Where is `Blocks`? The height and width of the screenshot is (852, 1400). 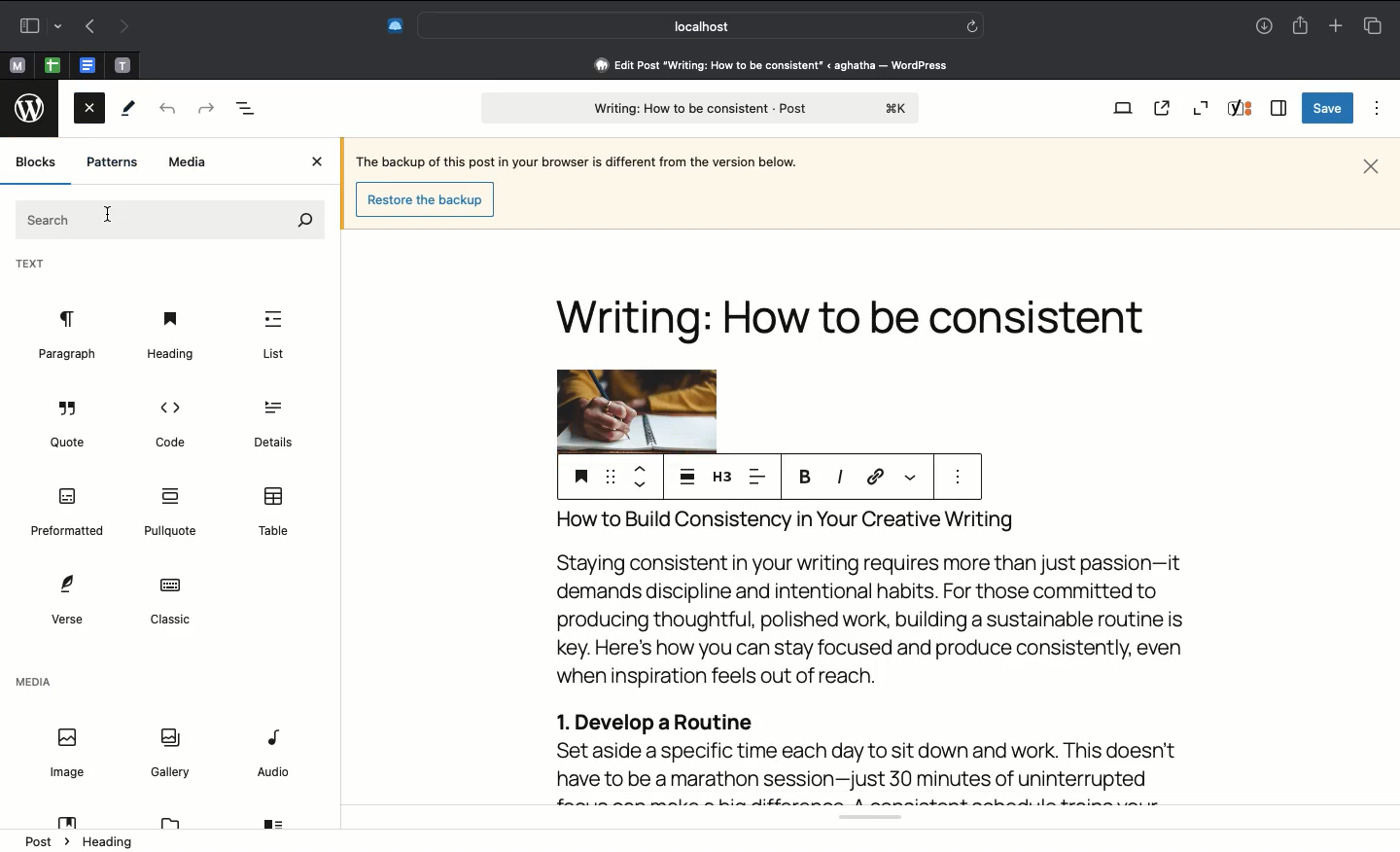
Blocks is located at coordinates (37, 161).